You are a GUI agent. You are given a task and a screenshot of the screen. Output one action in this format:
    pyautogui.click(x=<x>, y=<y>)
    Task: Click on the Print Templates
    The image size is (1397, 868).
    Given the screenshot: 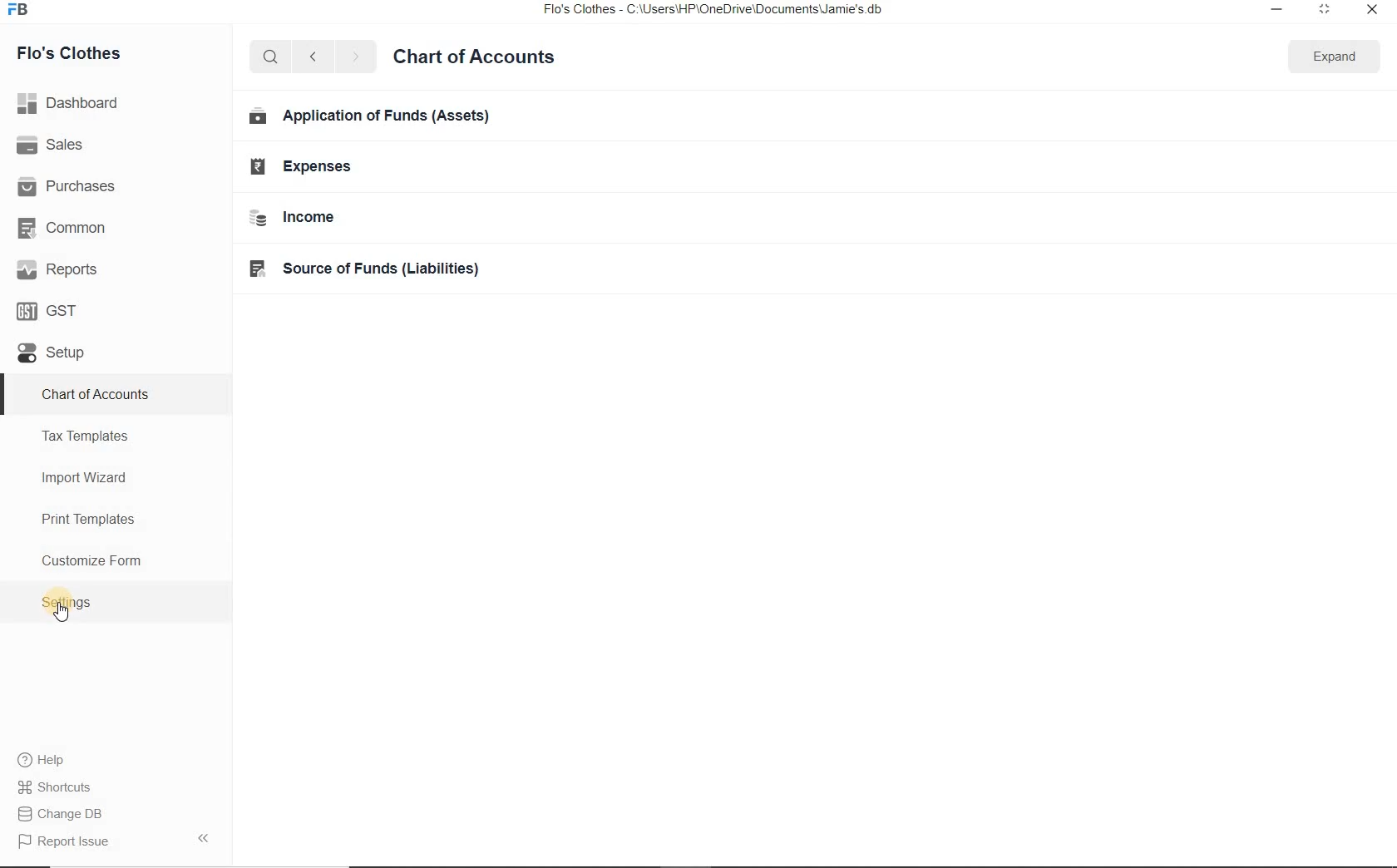 What is the action you would take?
    pyautogui.click(x=86, y=518)
    